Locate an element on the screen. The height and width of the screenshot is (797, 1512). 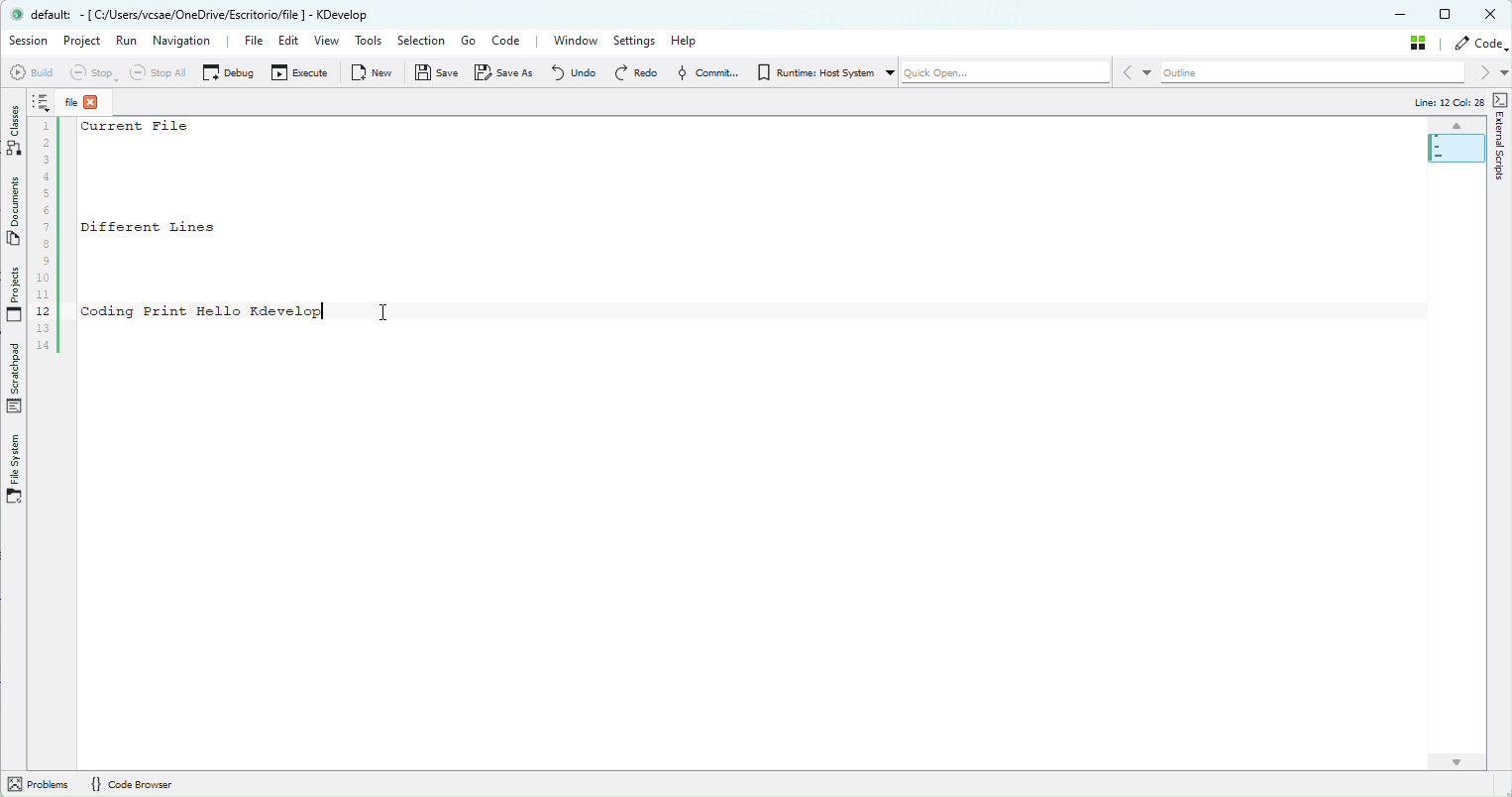
Notes is located at coordinates (43, 104).